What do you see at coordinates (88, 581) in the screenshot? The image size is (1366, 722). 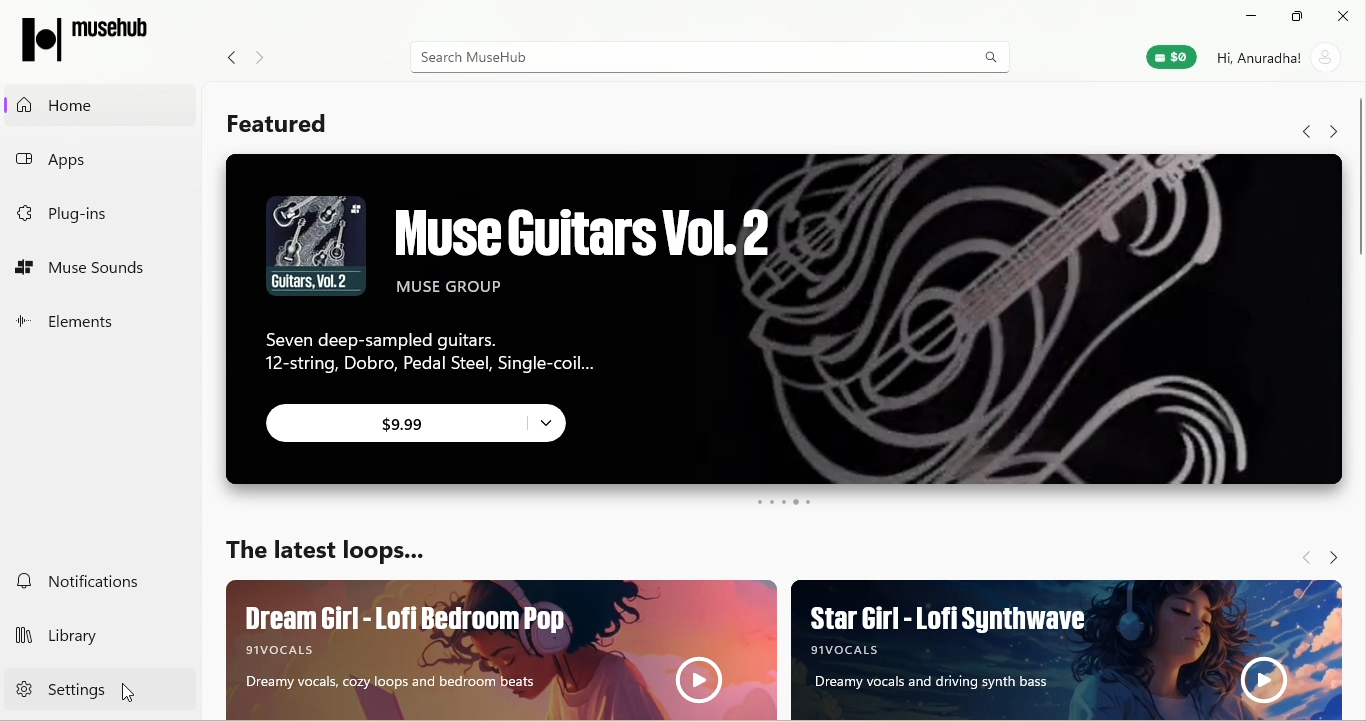 I see `notifications` at bounding box center [88, 581].